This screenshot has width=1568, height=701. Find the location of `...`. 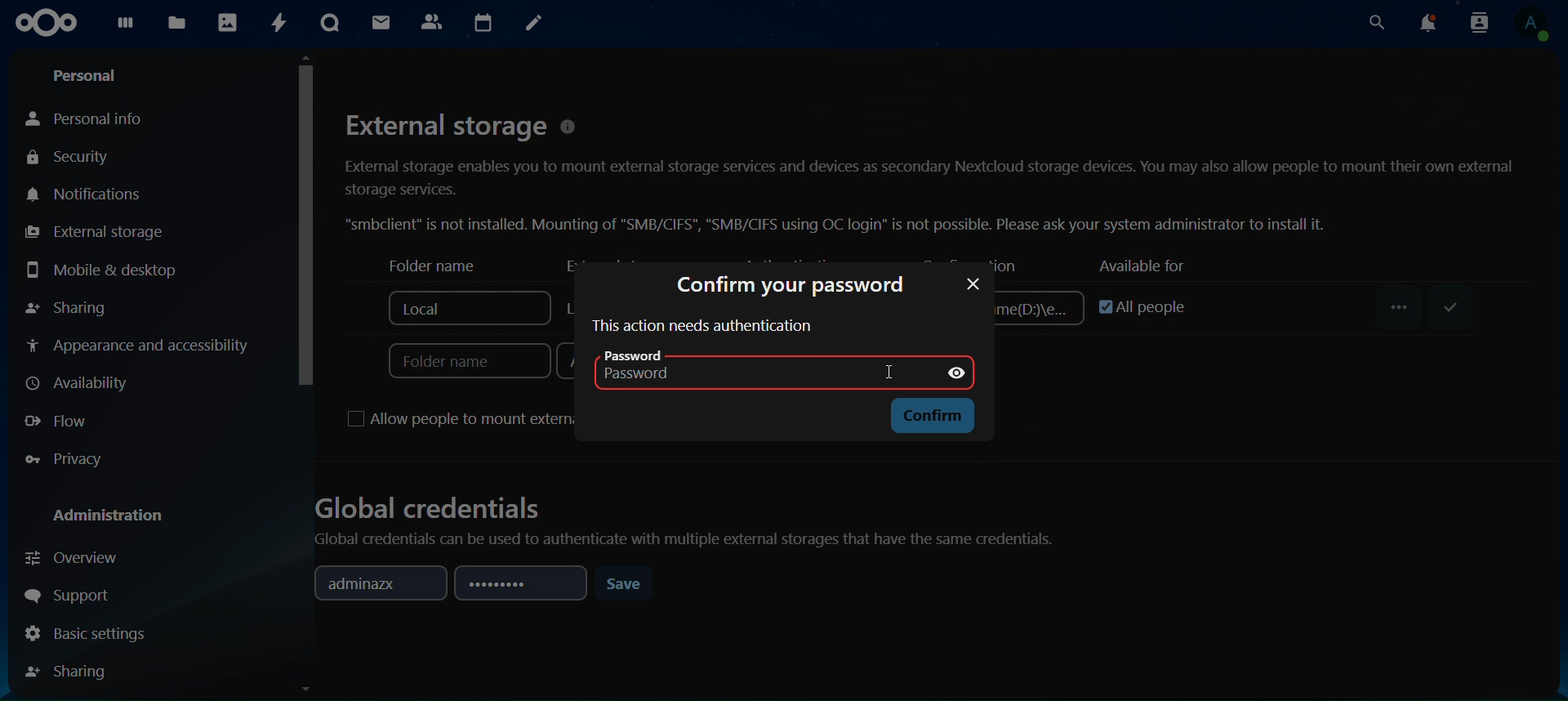

... is located at coordinates (1402, 307).